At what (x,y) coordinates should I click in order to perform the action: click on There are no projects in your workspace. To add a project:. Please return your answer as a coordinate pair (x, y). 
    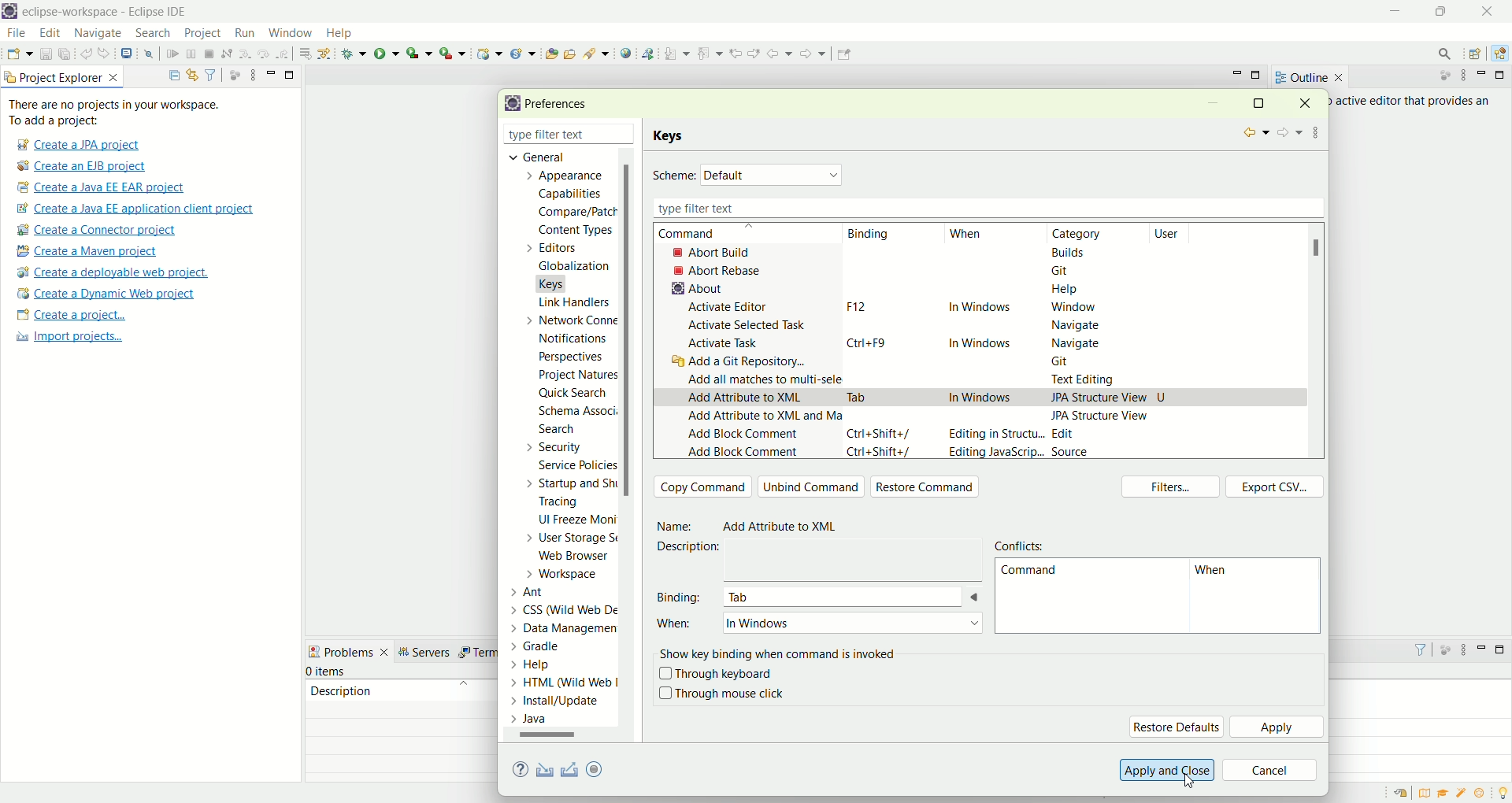
    Looking at the image, I should click on (118, 113).